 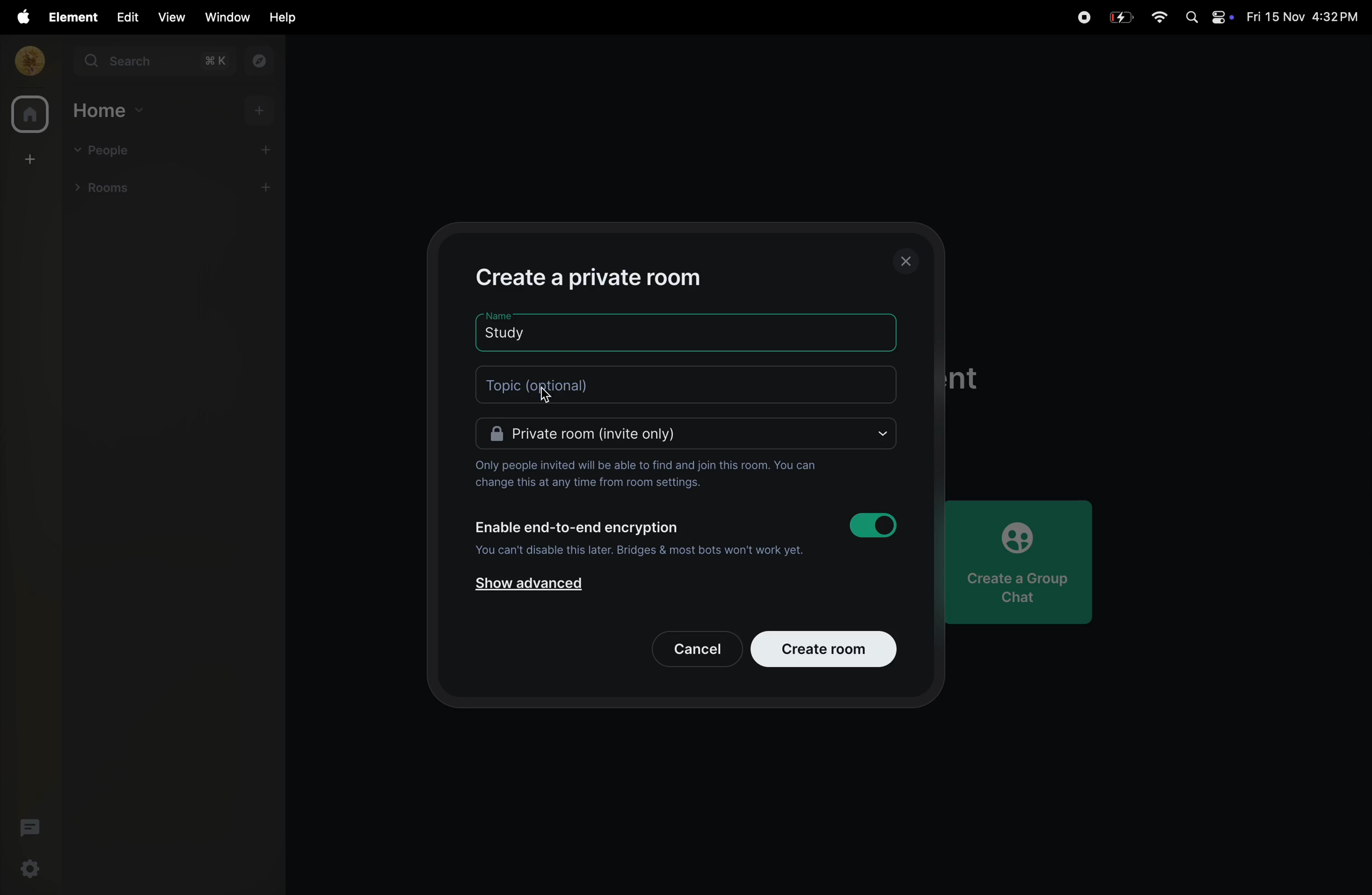 What do you see at coordinates (261, 62) in the screenshot?
I see `explore` at bounding box center [261, 62].